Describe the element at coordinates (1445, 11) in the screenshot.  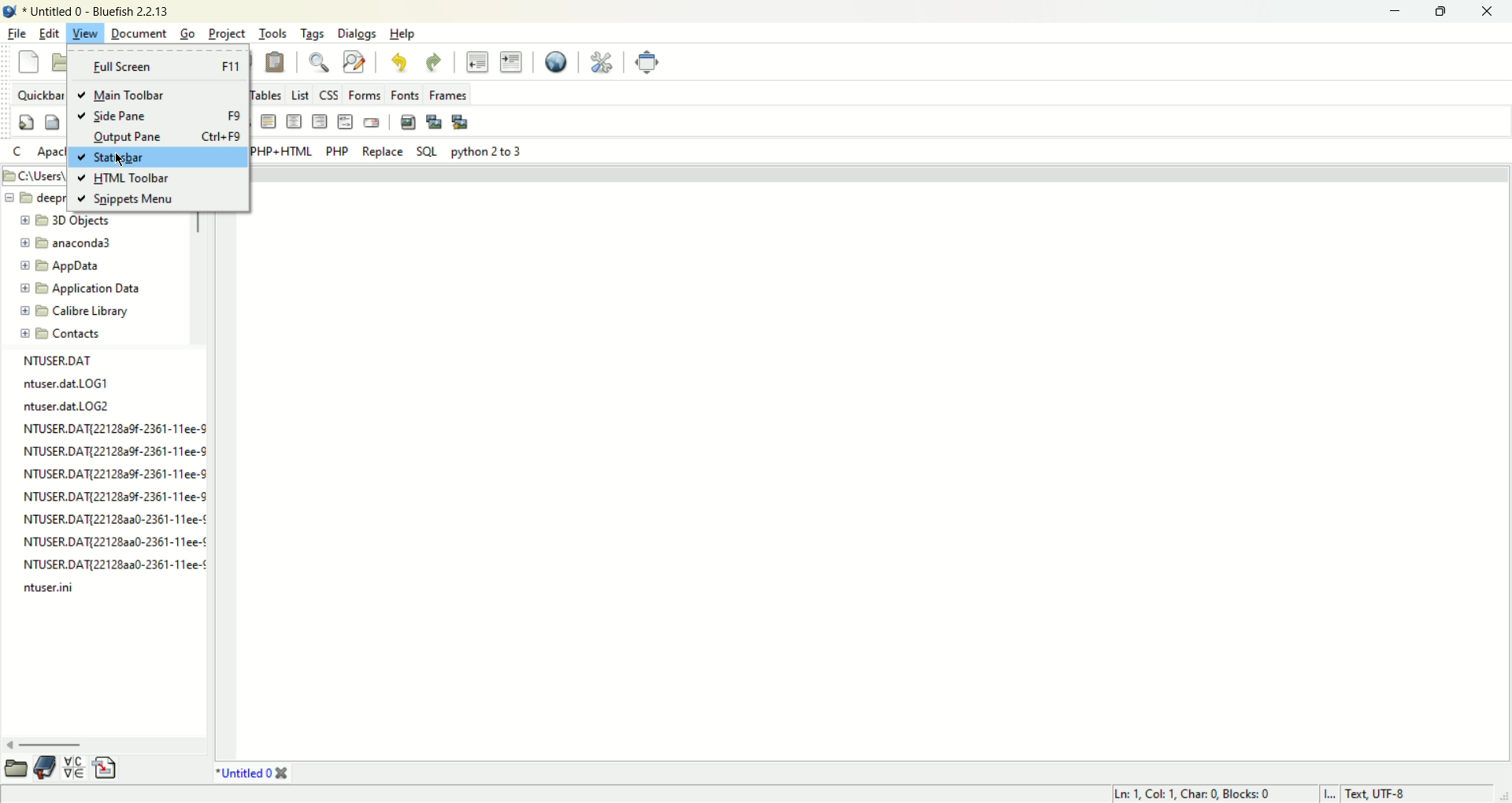
I see `maximize` at that location.